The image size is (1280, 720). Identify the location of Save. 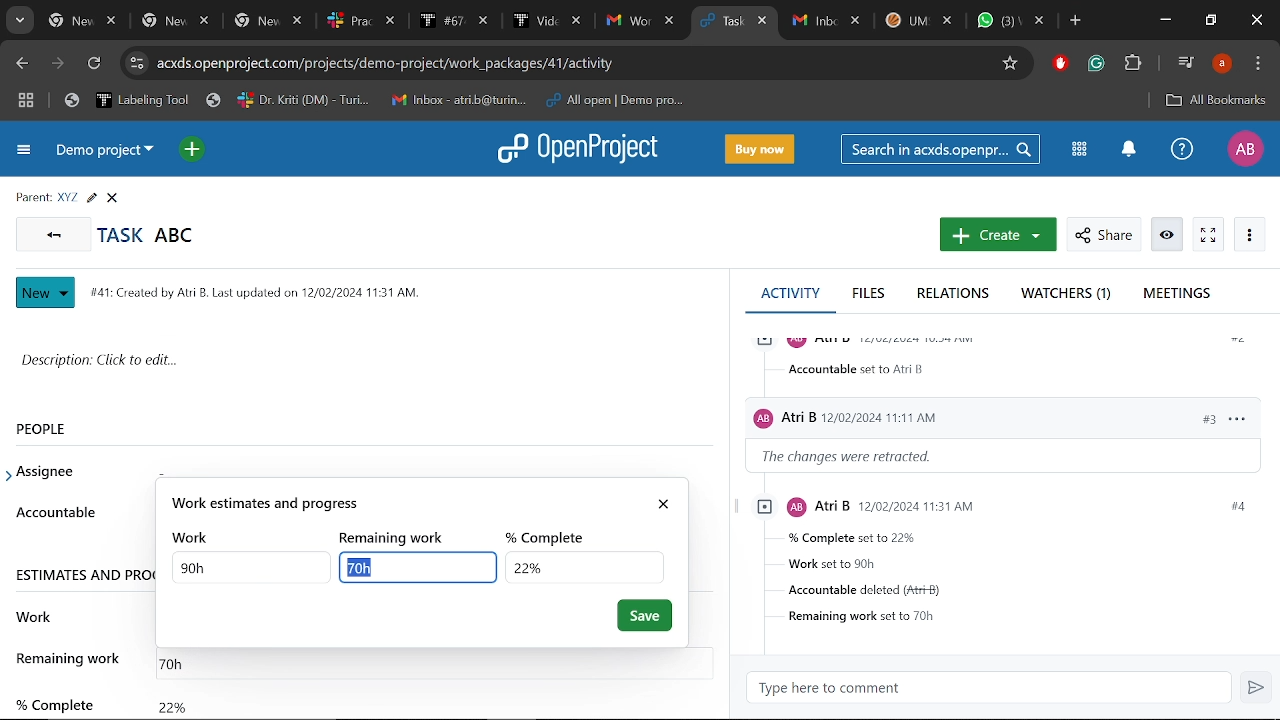
(645, 616).